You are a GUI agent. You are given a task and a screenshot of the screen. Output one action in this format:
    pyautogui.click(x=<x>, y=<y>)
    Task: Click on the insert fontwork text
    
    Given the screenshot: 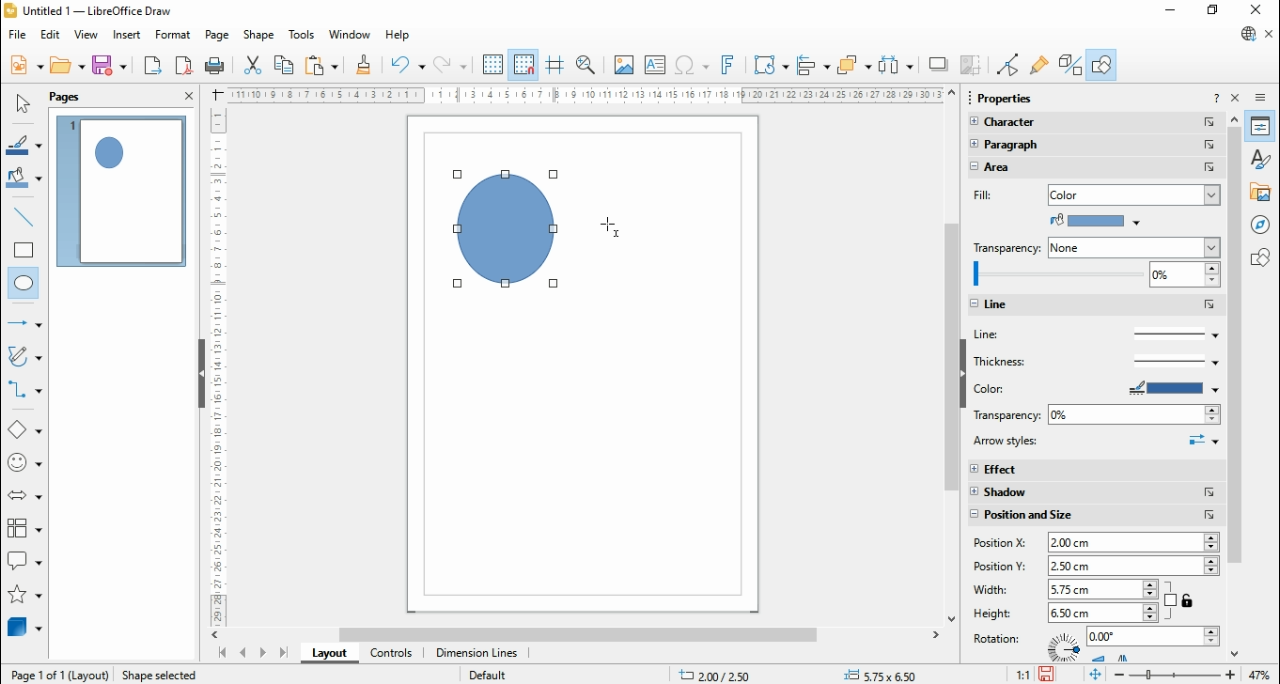 What is the action you would take?
    pyautogui.click(x=728, y=64)
    